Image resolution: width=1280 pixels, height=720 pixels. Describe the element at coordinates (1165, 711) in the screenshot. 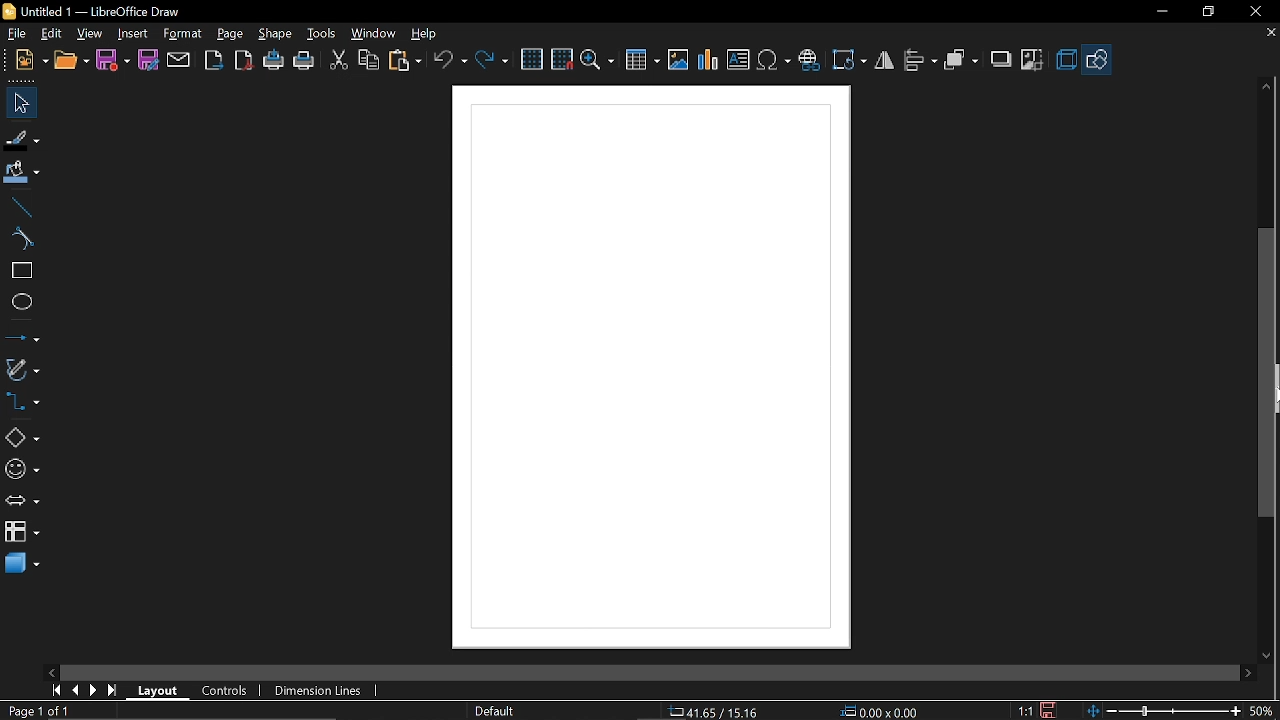

I see `change zoom` at that location.